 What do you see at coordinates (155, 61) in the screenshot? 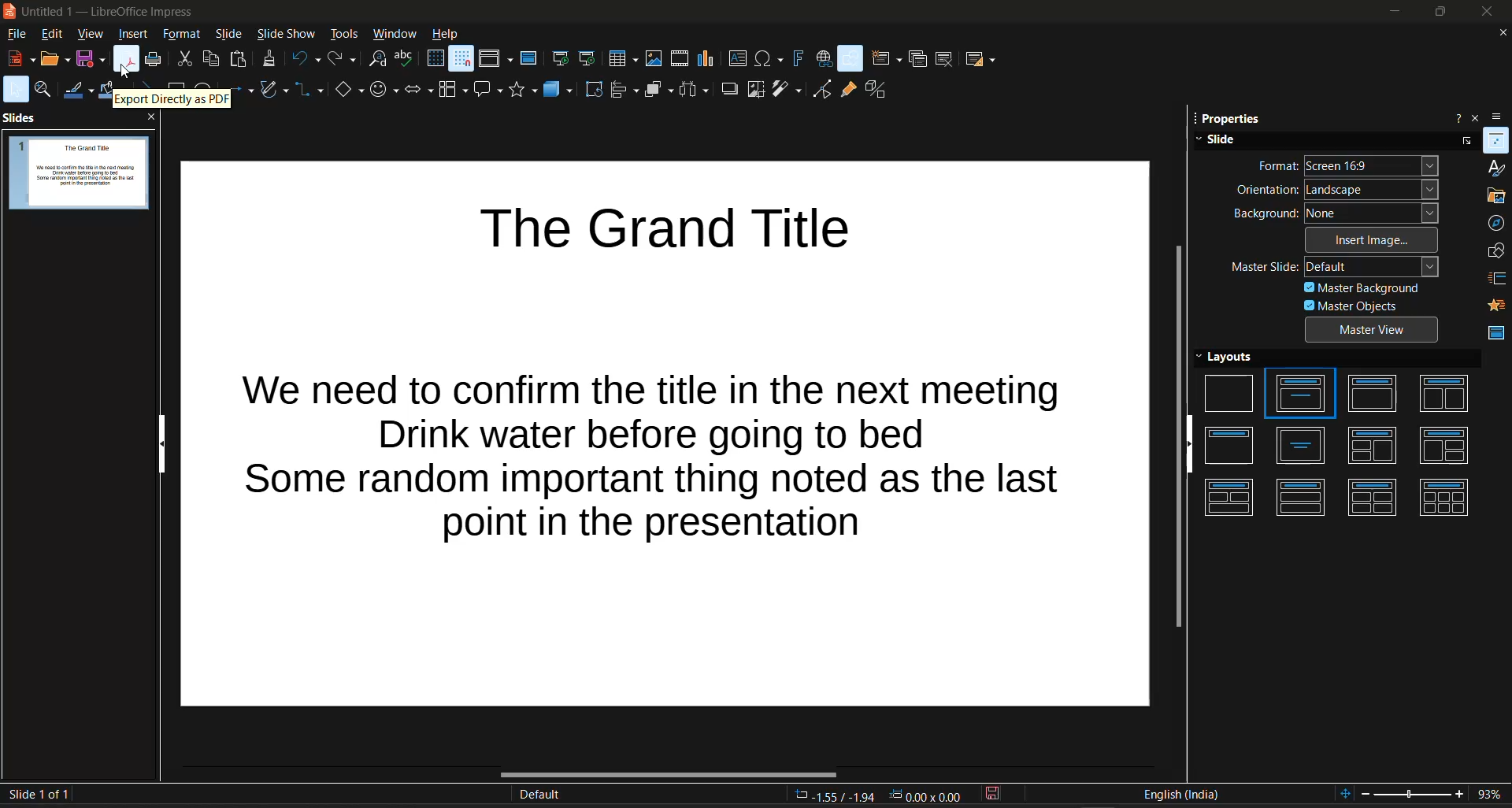
I see `print` at bounding box center [155, 61].